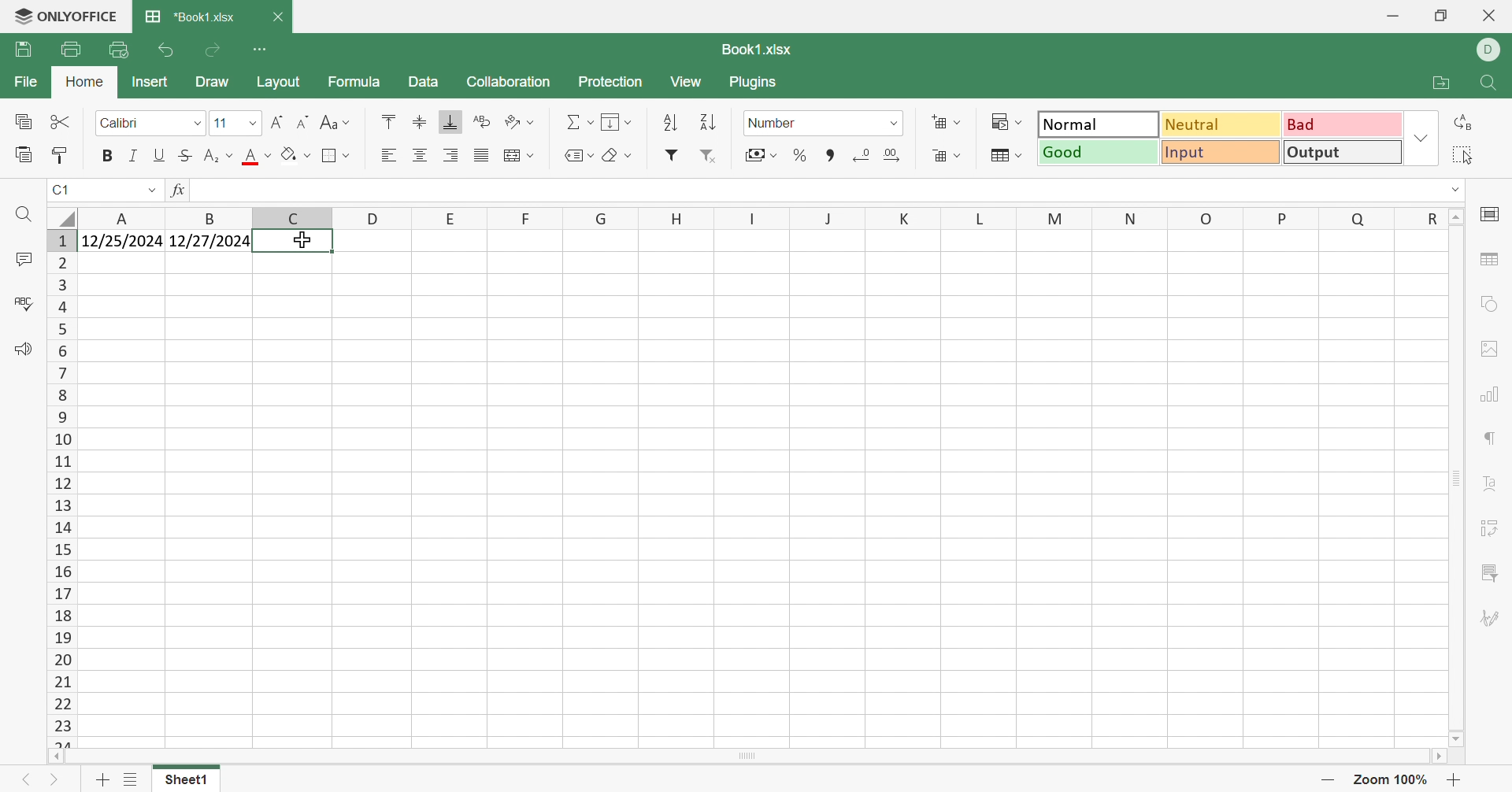 The width and height of the screenshot is (1512, 792). What do you see at coordinates (949, 122) in the screenshot?
I see `Insert cells` at bounding box center [949, 122].